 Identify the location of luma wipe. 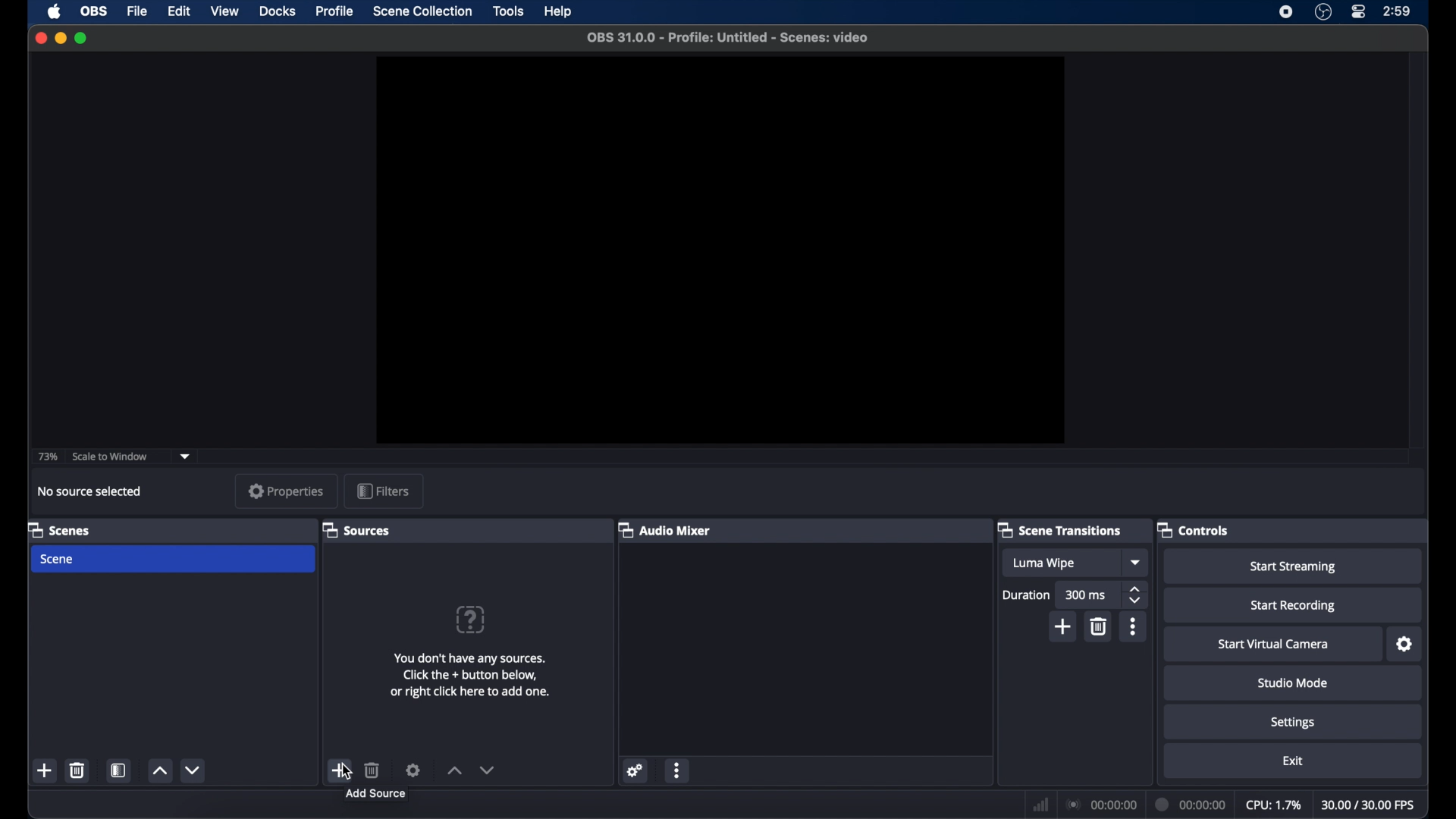
(1045, 563).